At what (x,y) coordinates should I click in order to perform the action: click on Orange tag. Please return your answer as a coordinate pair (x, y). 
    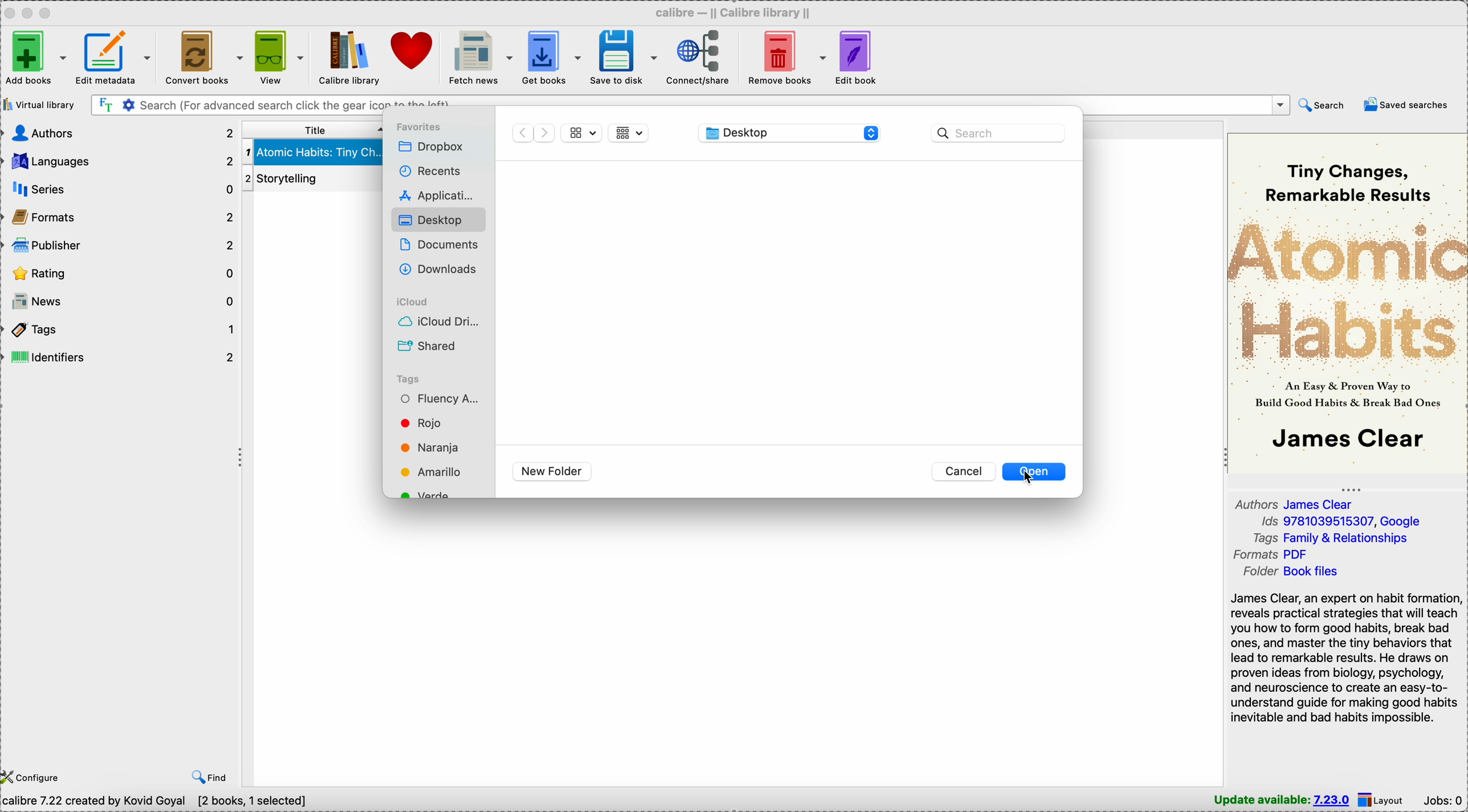
    Looking at the image, I should click on (427, 449).